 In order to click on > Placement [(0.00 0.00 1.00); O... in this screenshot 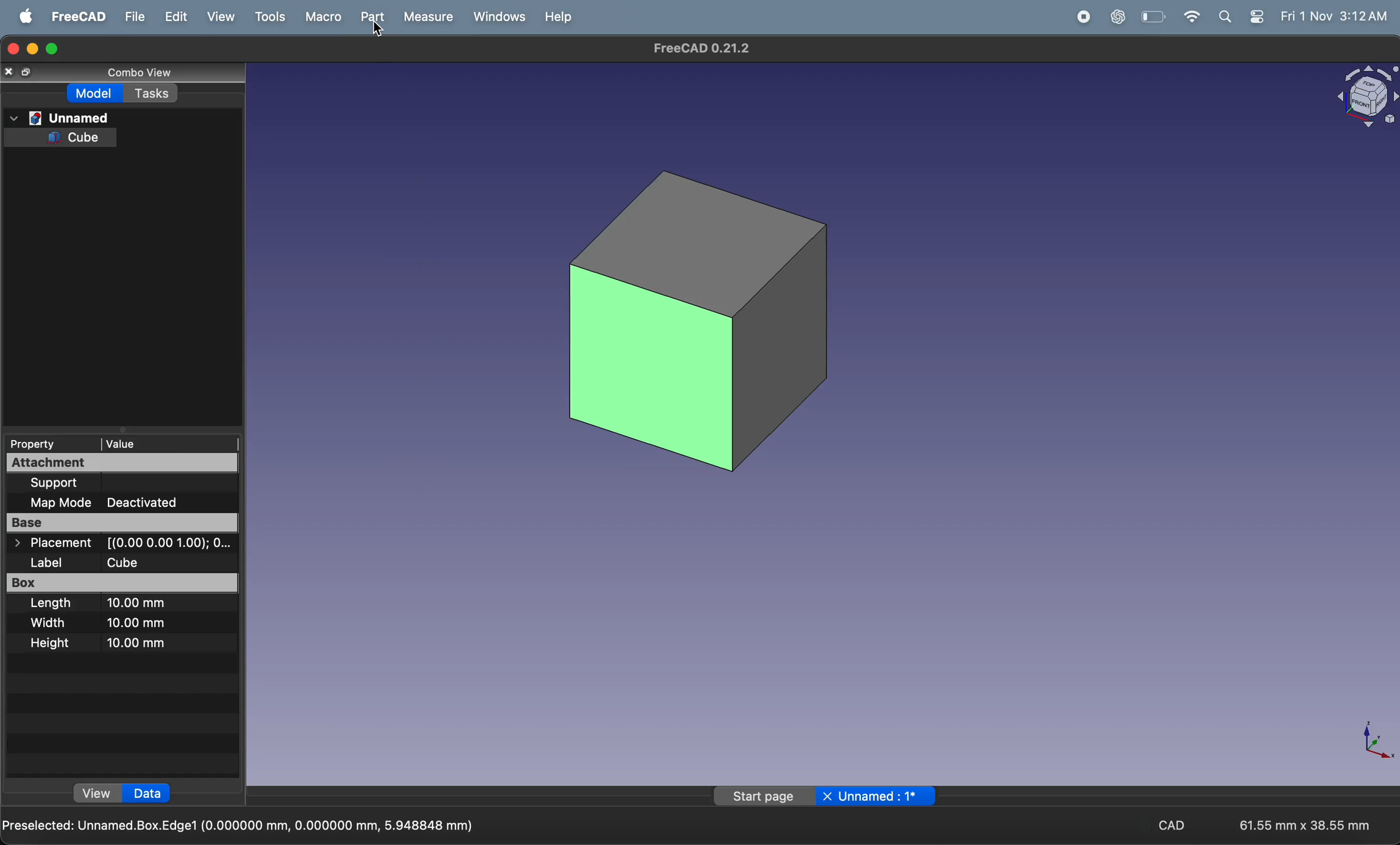, I will do `click(119, 544)`.